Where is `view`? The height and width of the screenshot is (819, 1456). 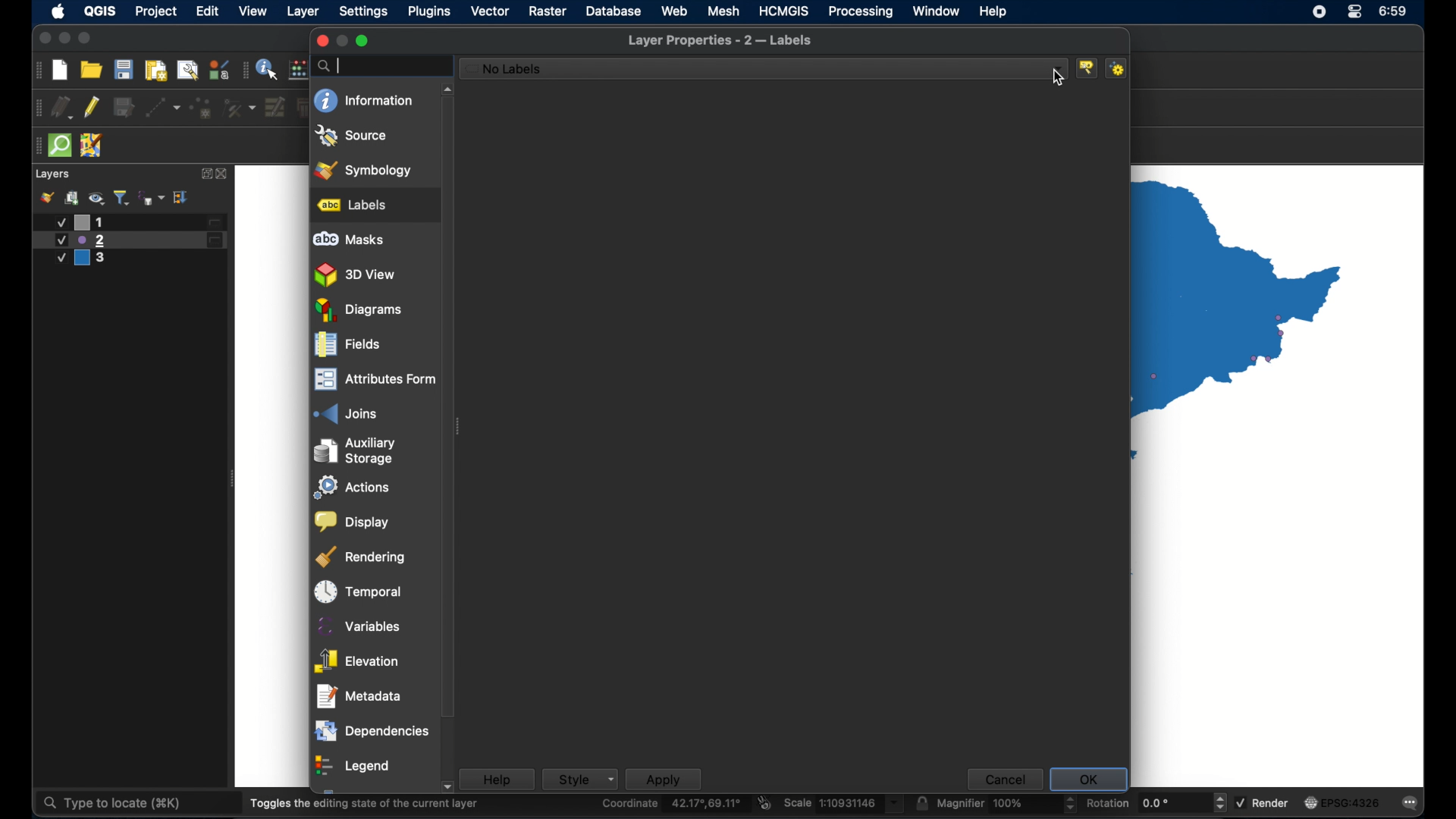 view is located at coordinates (254, 11).